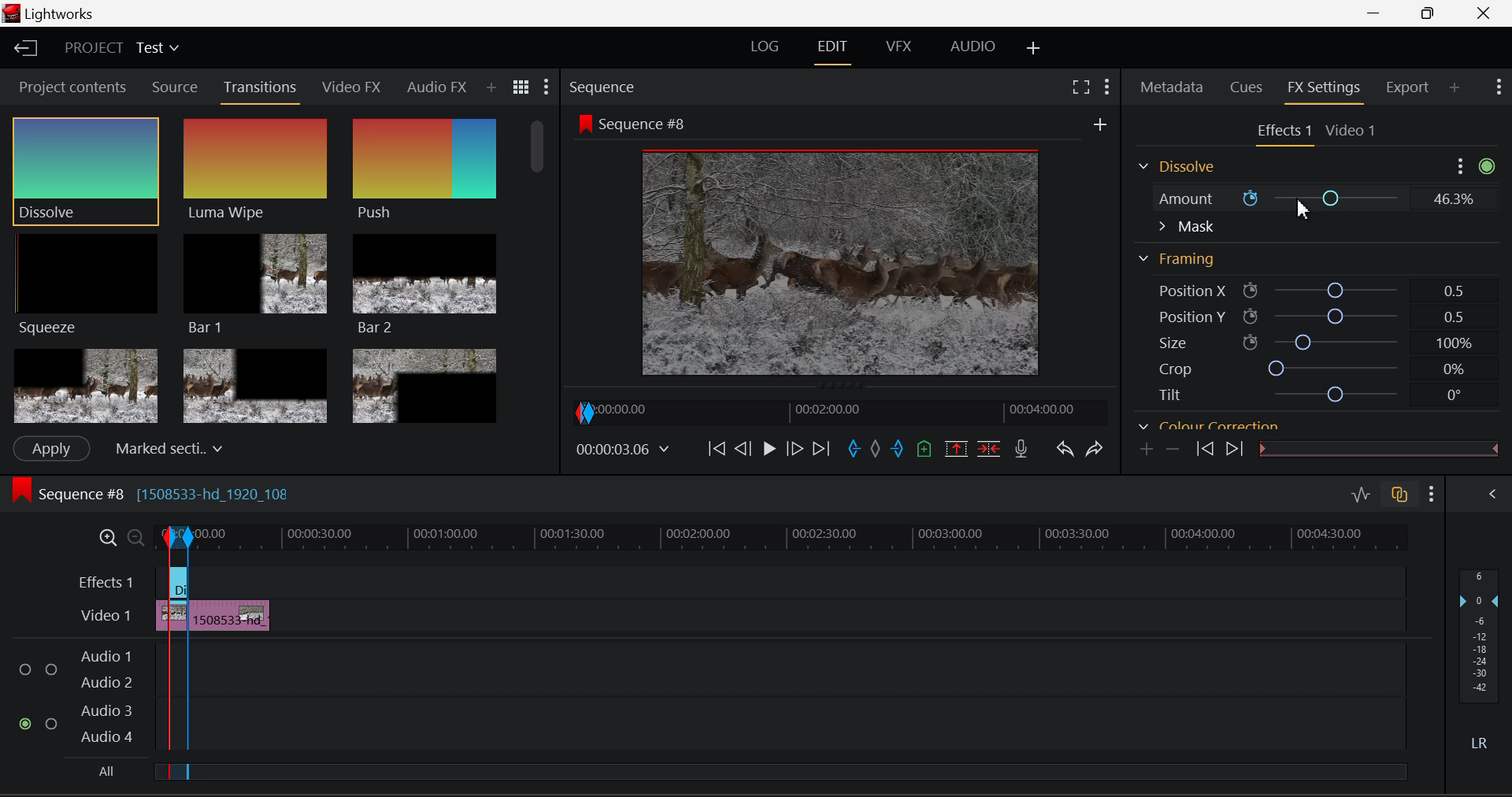 This screenshot has height=797, width=1512. What do you see at coordinates (923, 450) in the screenshot?
I see `Mark Cue` at bounding box center [923, 450].